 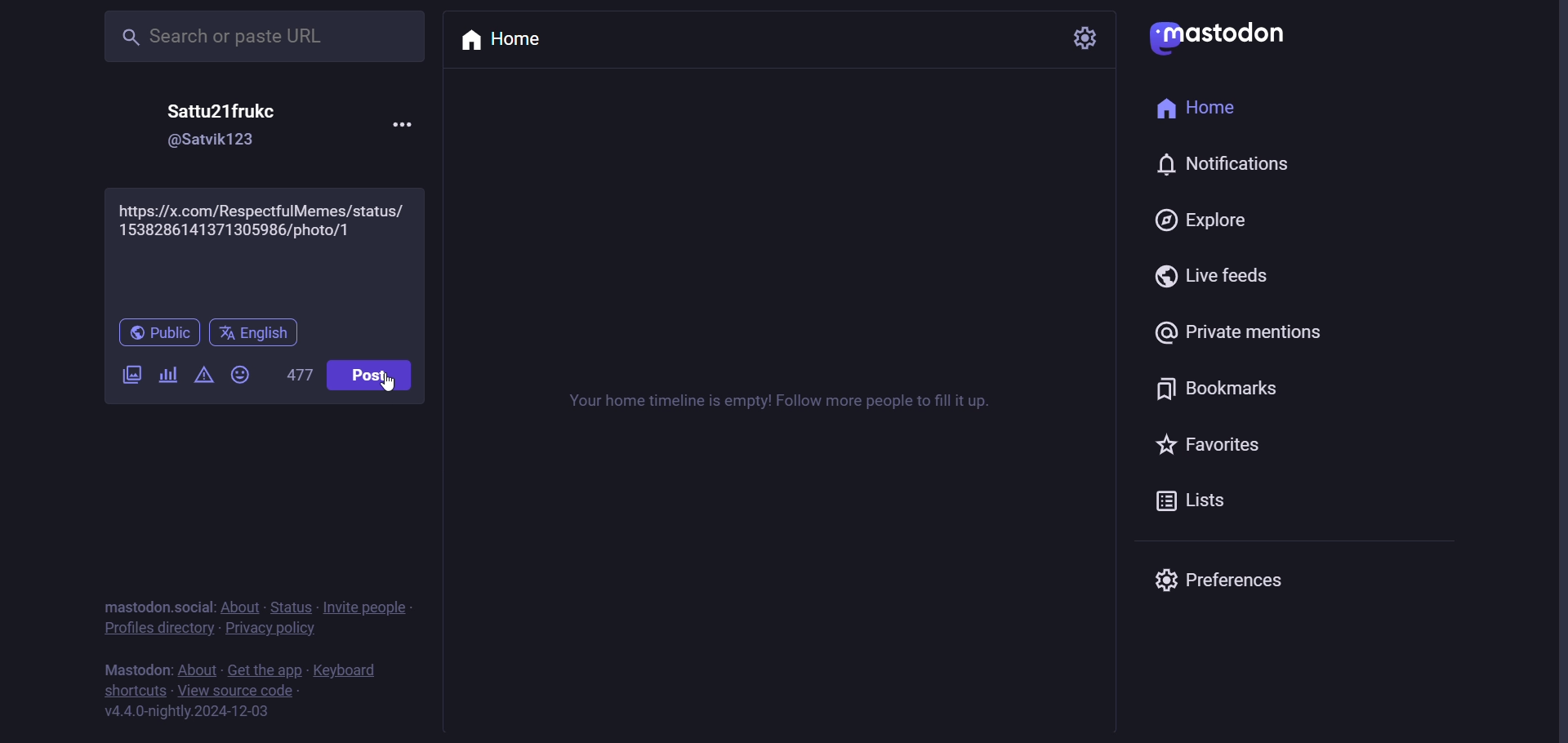 I want to click on post, so click(x=368, y=376).